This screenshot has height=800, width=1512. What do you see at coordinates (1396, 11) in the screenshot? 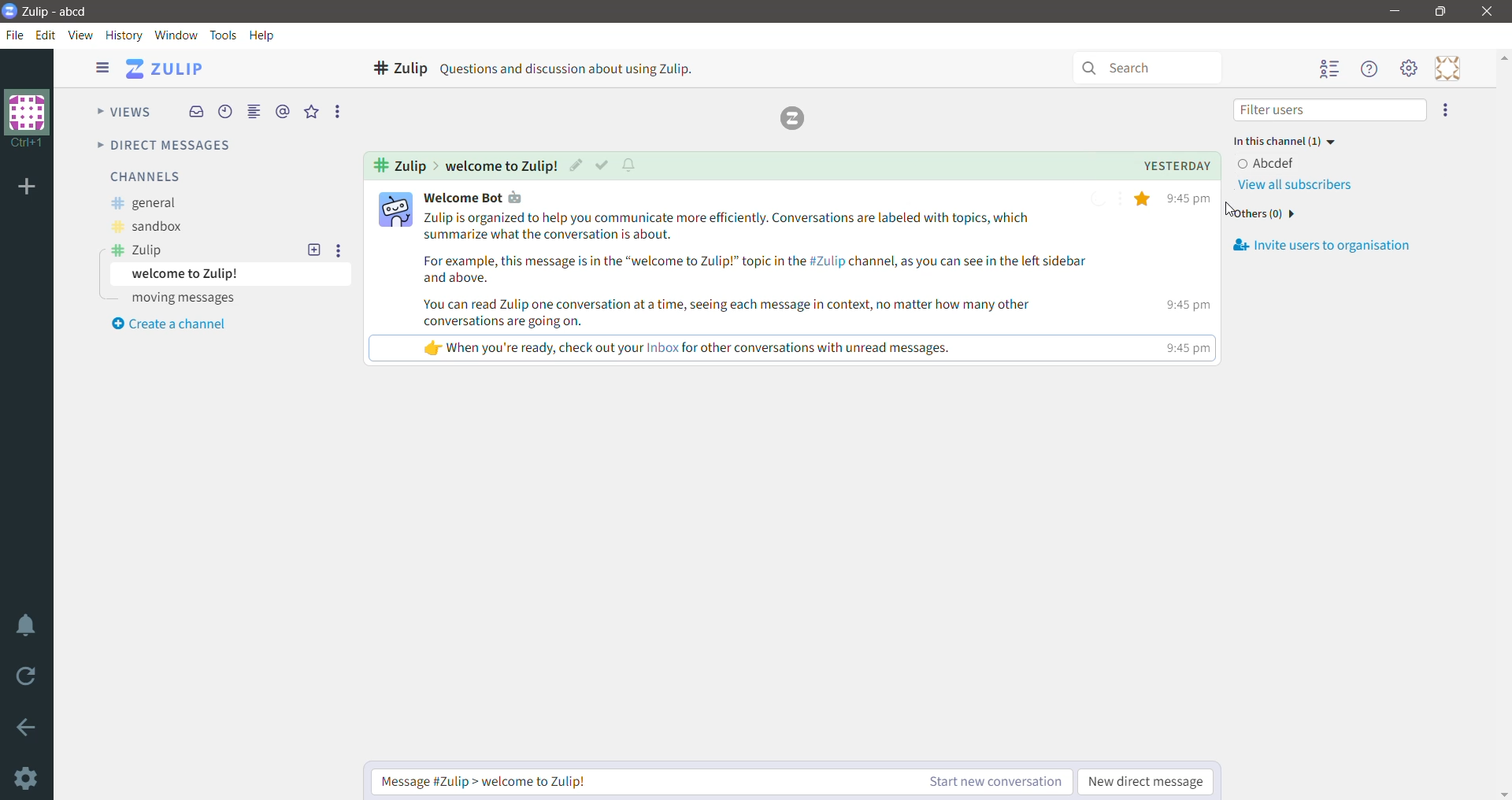
I see `Minimize` at bounding box center [1396, 11].